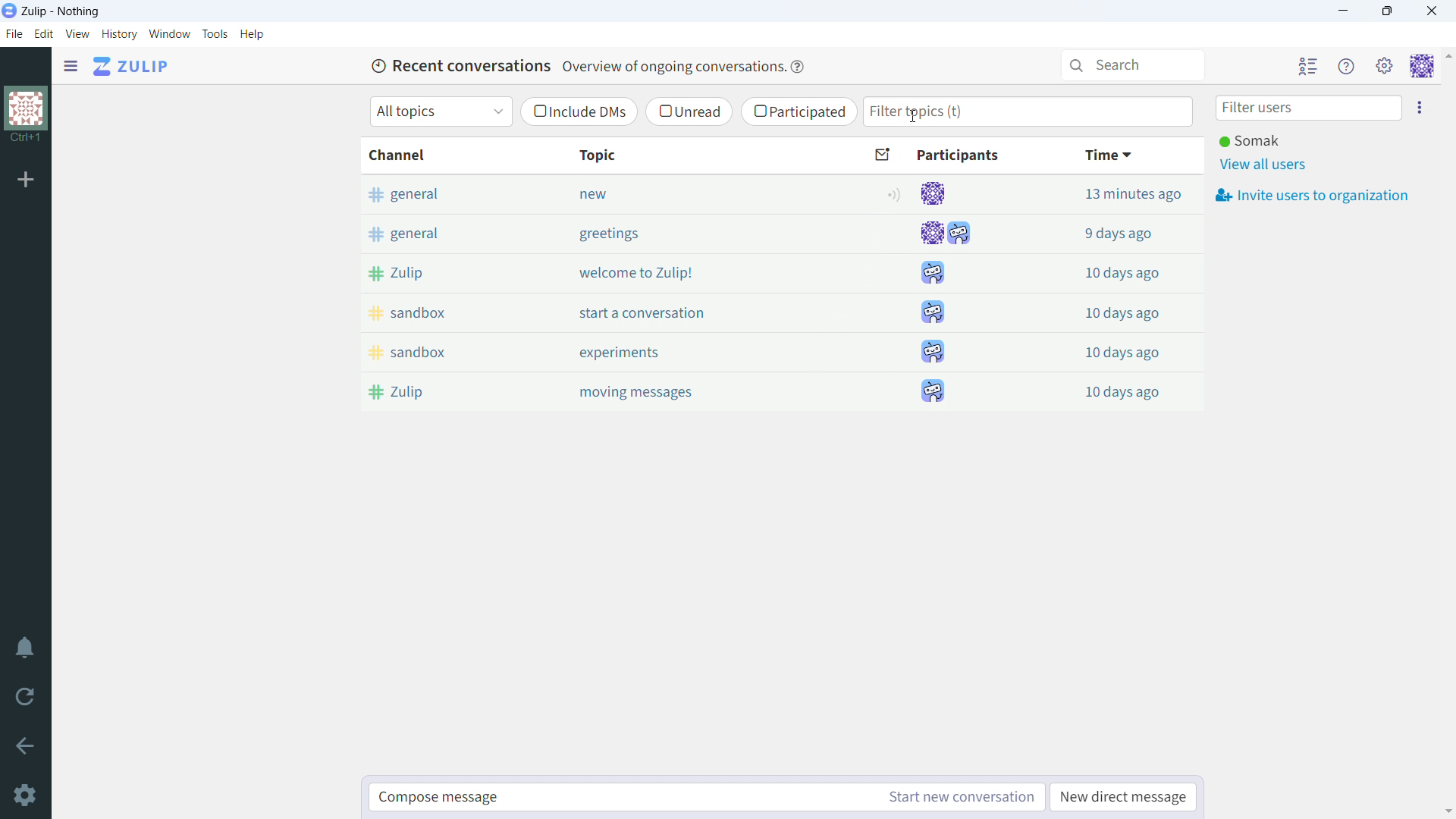 Image resolution: width=1456 pixels, height=819 pixels. What do you see at coordinates (61, 11) in the screenshot?
I see `title` at bounding box center [61, 11].